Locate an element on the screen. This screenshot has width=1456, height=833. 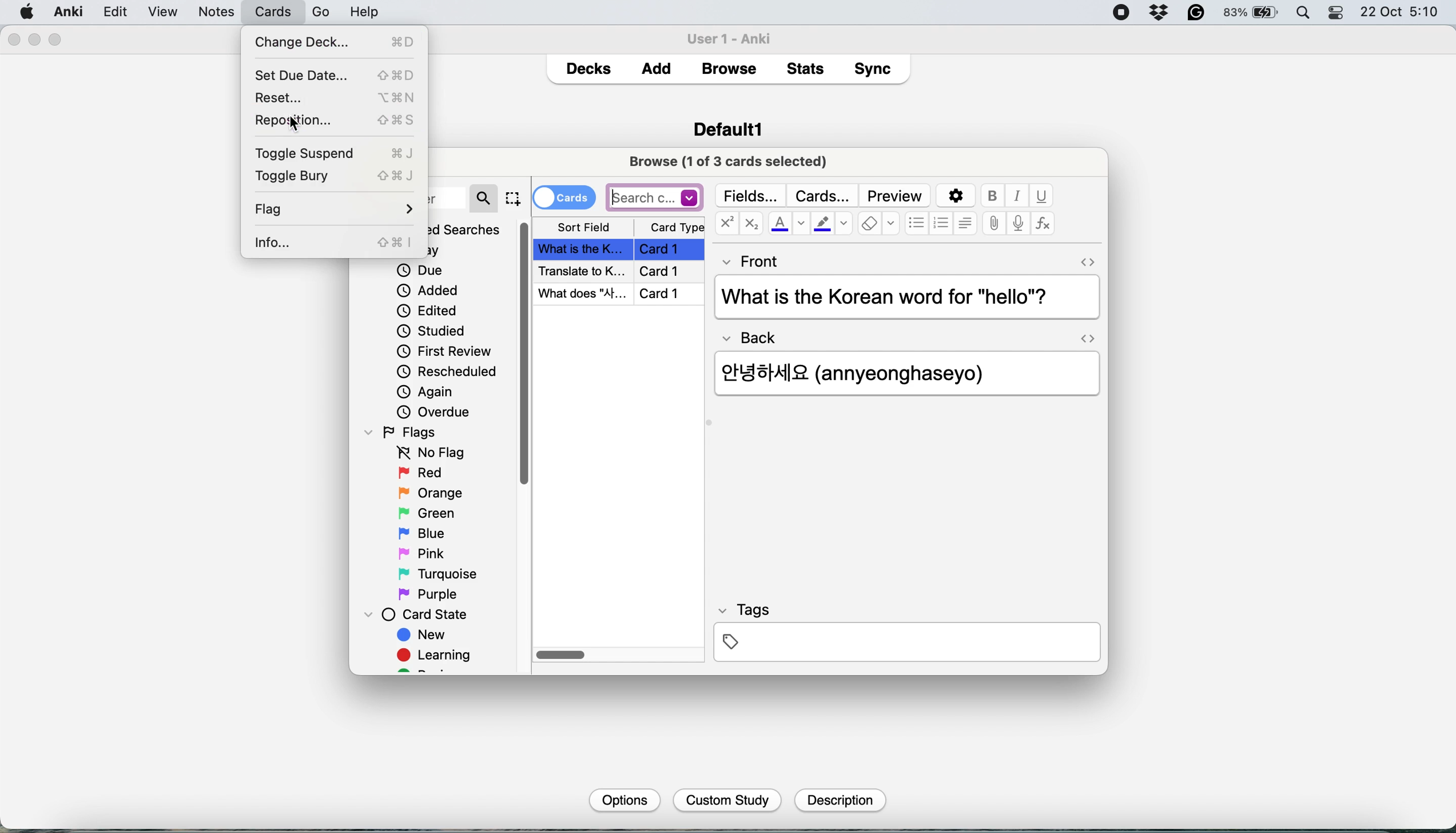
settings is located at coordinates (954, 196).